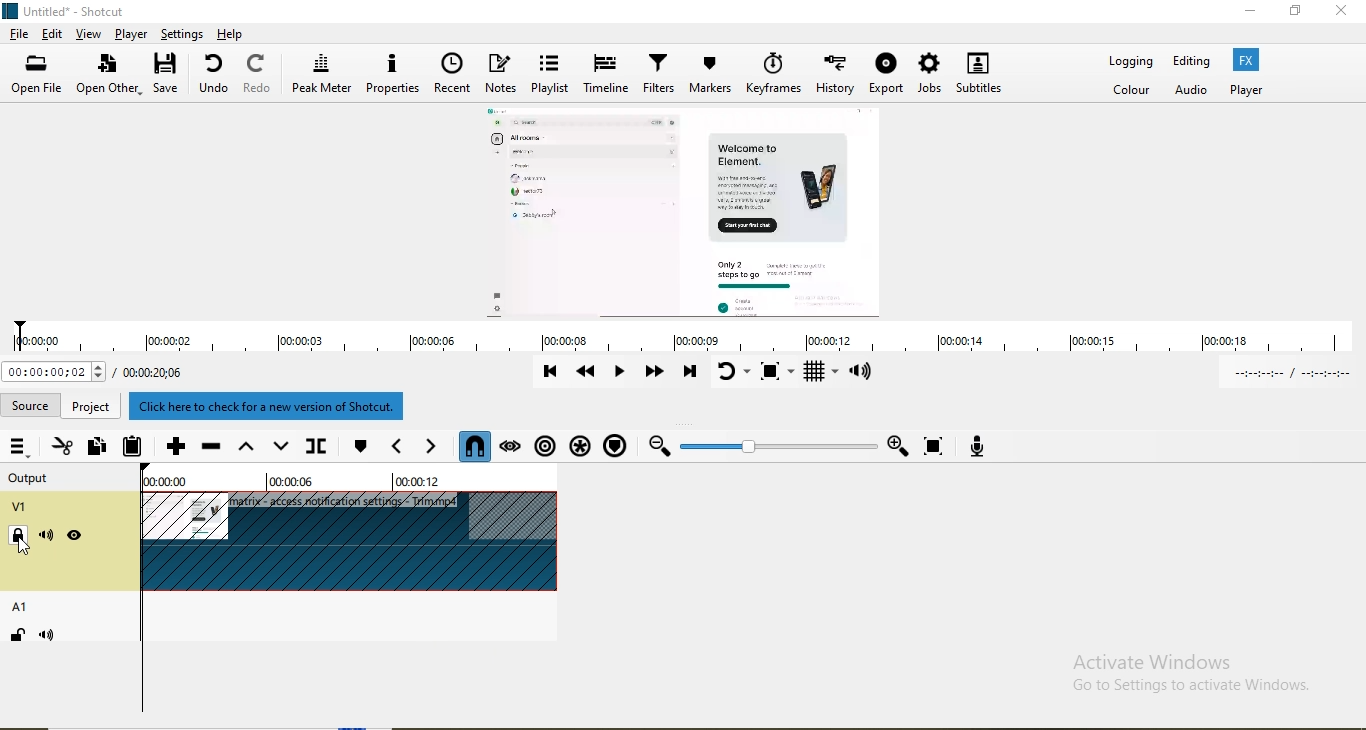  Describe the element at coordinates (452, 75) in the screenshot. I see `Recent` at that location.